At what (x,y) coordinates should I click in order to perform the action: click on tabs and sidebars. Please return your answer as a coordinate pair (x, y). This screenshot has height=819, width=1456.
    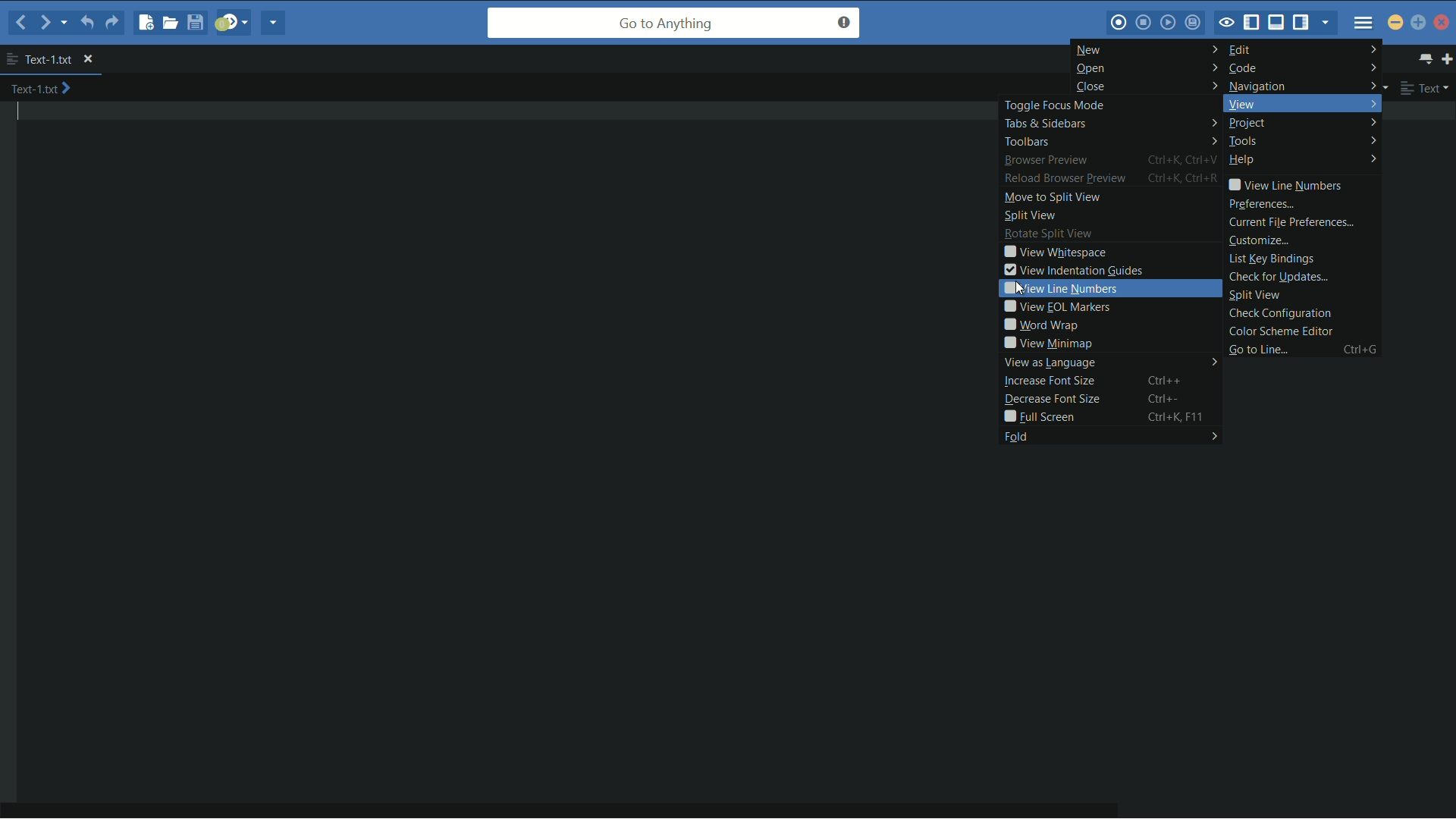
    Looking at the image, I should click on (1109, 124).